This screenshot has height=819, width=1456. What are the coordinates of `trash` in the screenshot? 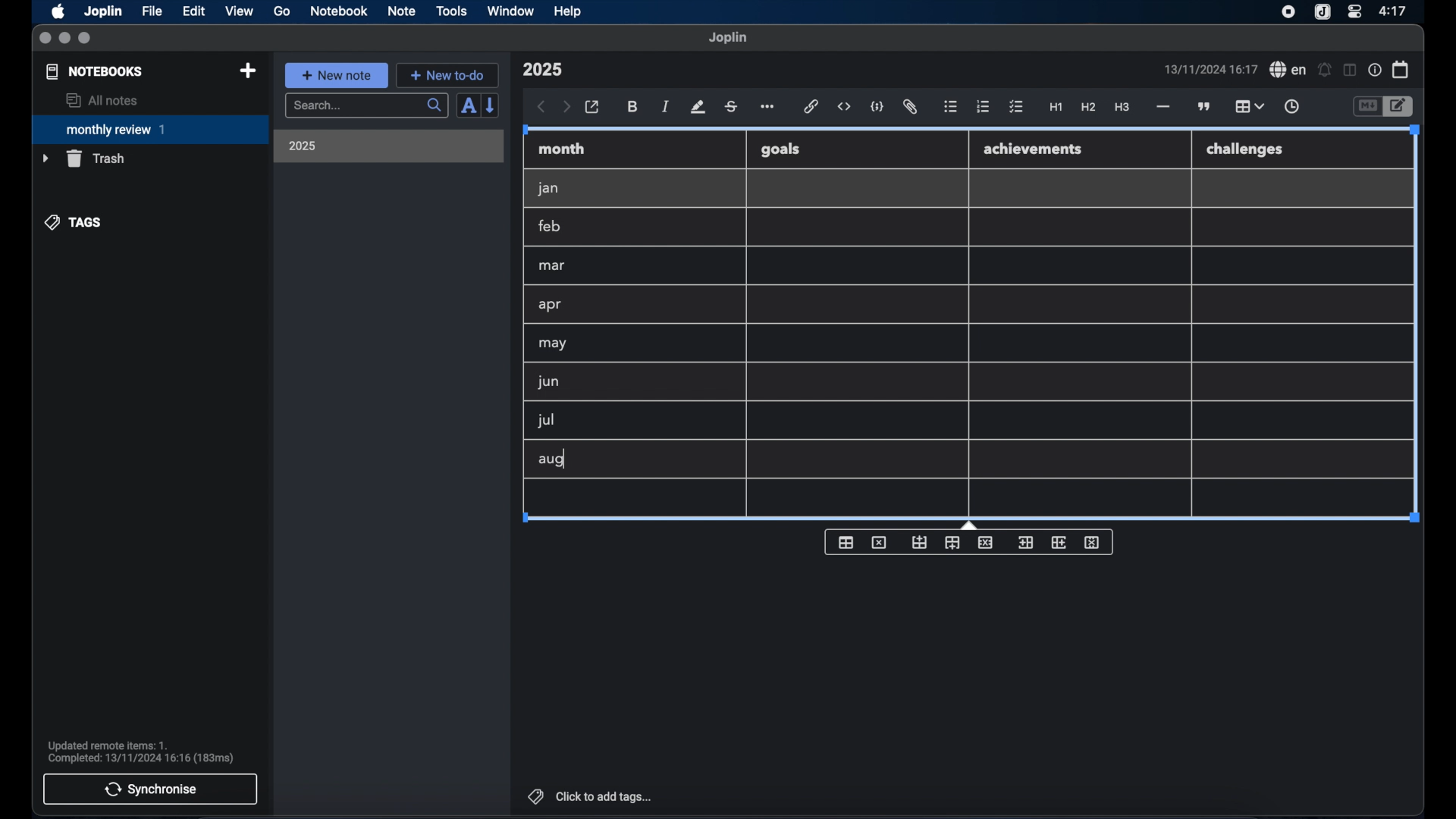 It's located at (83, 158).